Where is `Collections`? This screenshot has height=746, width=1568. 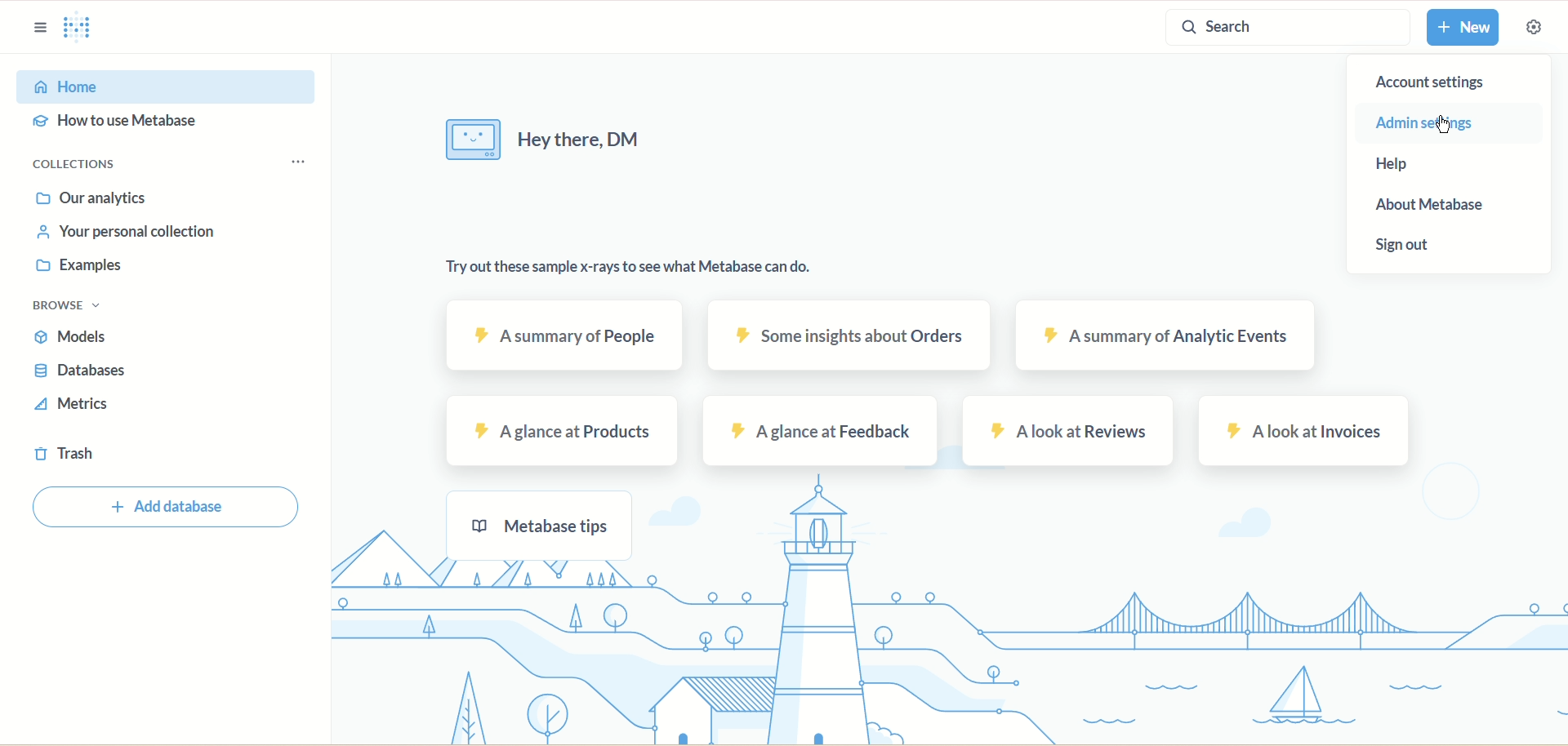 Collections is located at coordinates (157, 162).